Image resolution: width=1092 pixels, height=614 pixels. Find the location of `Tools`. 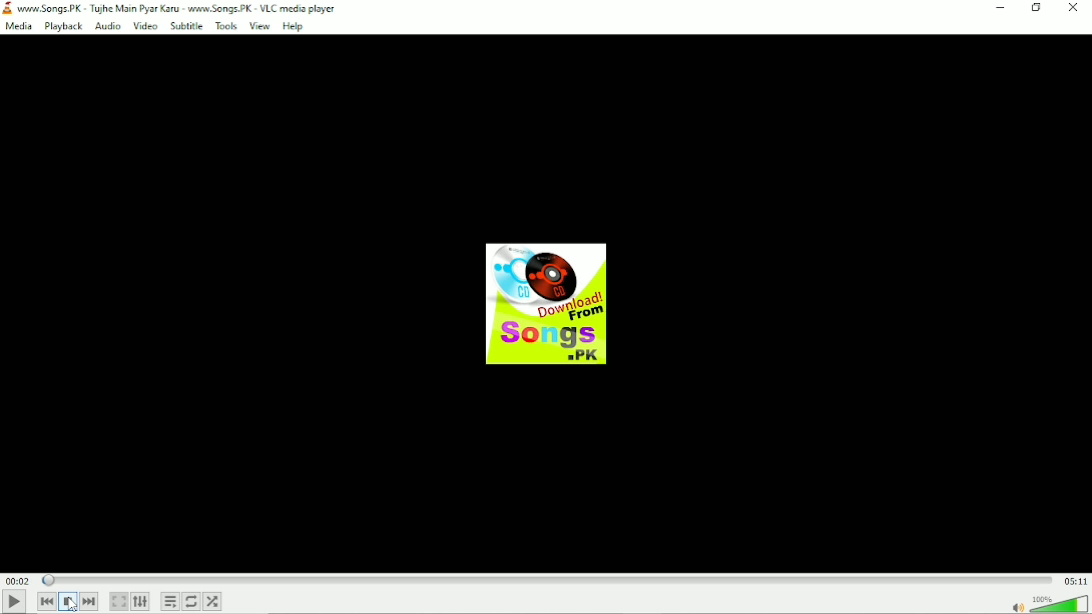

Tools is located at coordinates (225, 26).